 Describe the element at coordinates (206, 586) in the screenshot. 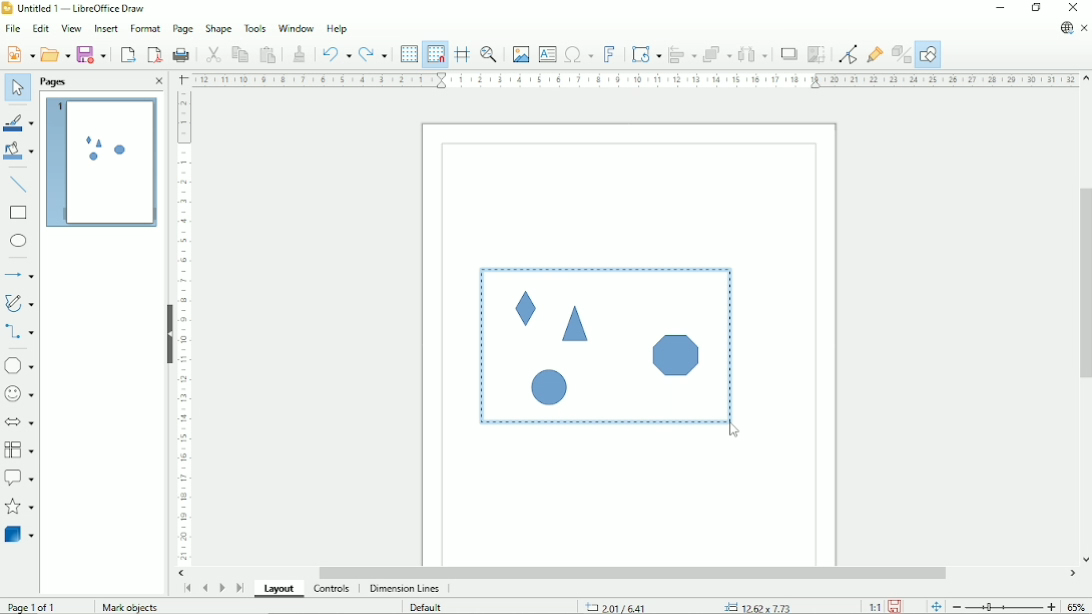

I see `Scroll to previous page` at that location.